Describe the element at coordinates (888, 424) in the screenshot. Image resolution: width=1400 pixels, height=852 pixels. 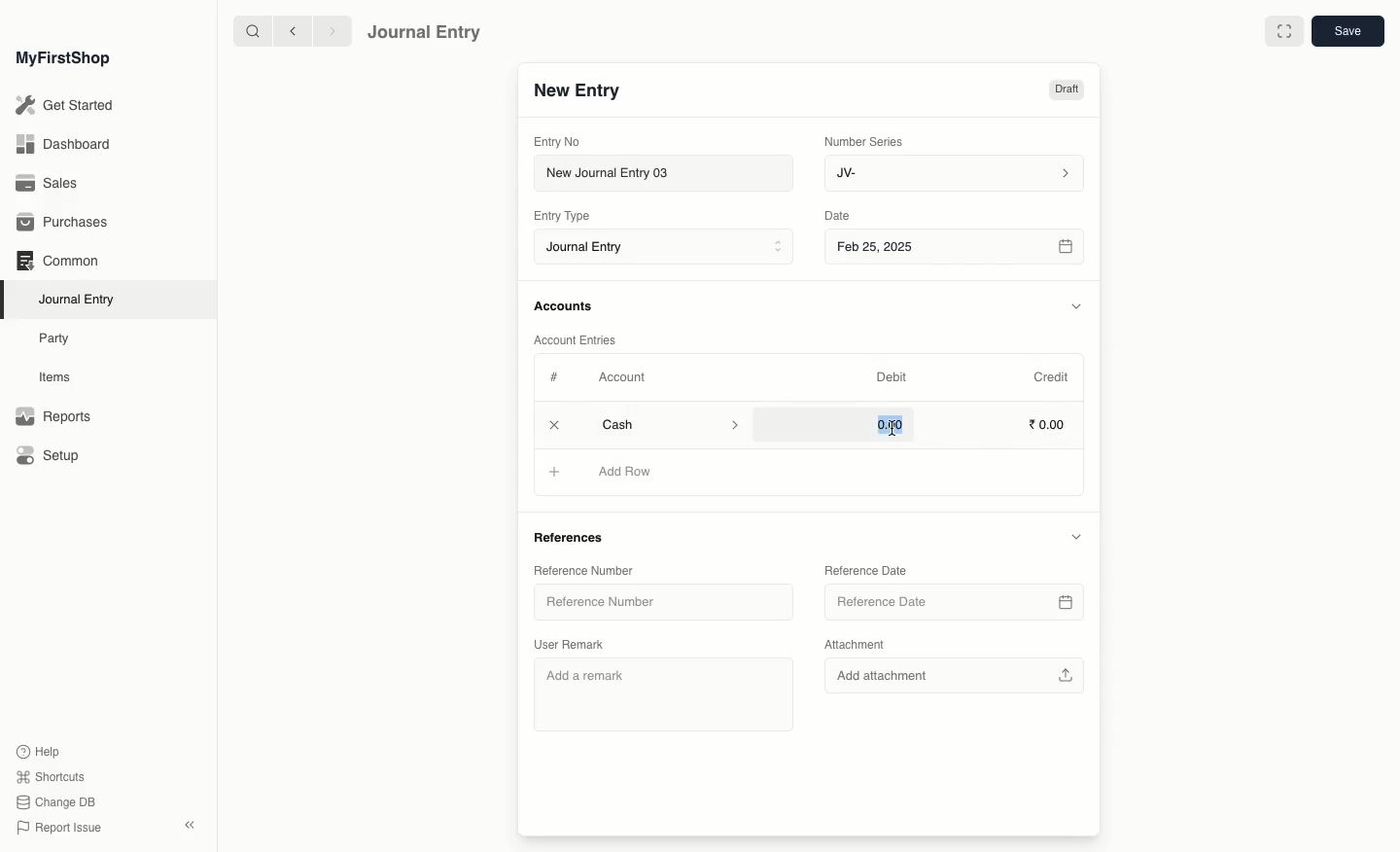
I see `0.00` at that location.